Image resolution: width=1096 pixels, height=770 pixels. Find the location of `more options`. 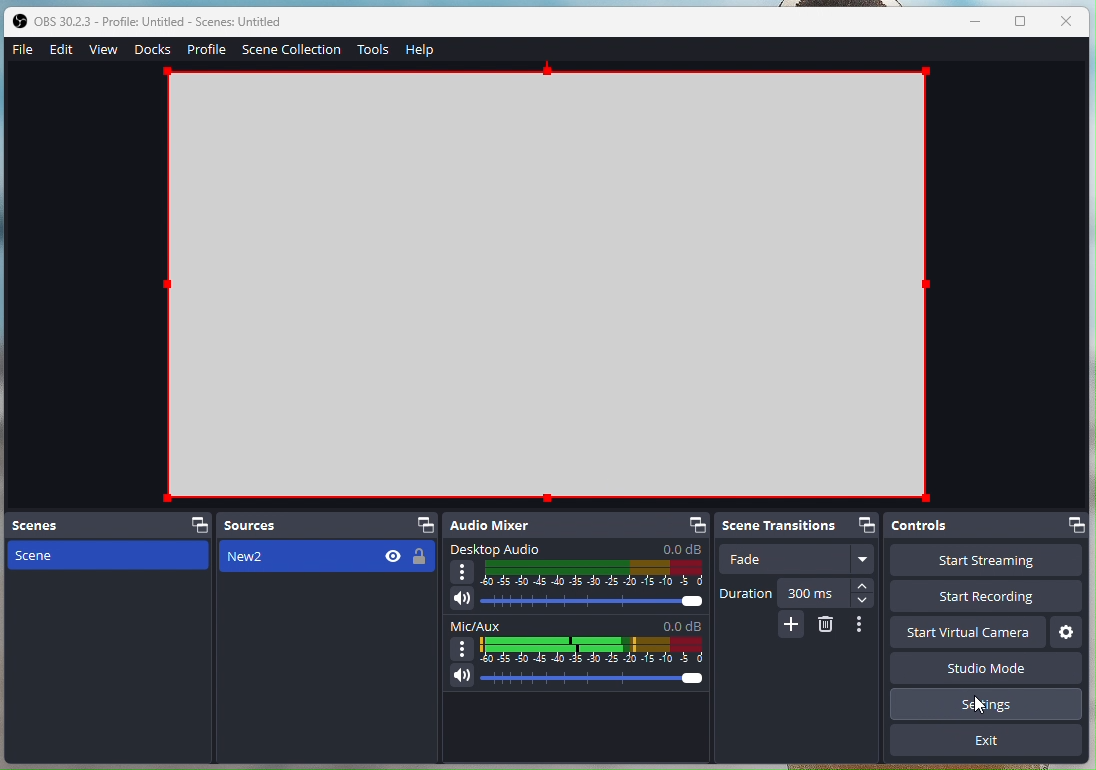

more options is located at coordinates (462, 647).